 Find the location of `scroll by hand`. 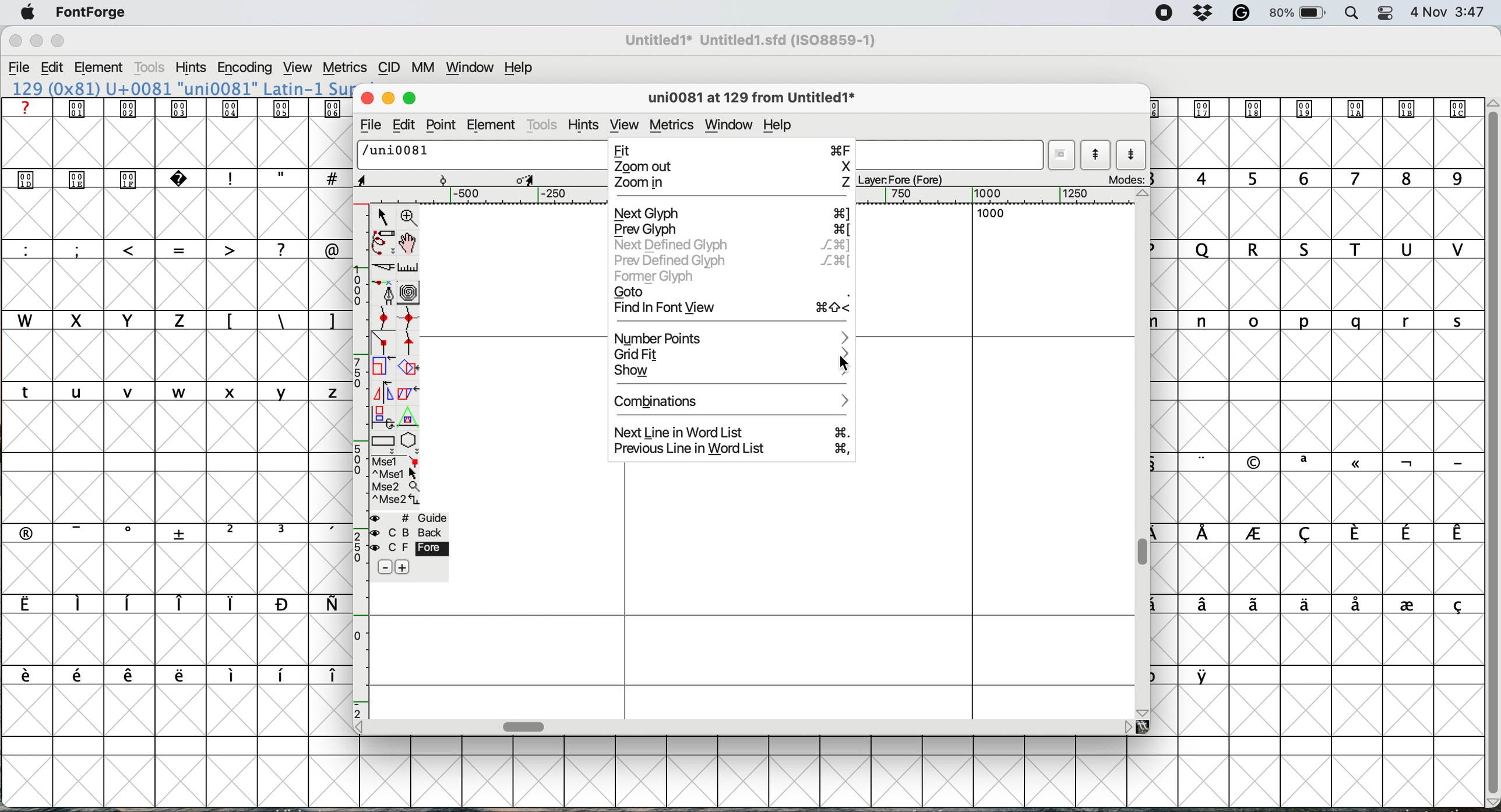

scroll by hand is located at coordinates (407, 242).